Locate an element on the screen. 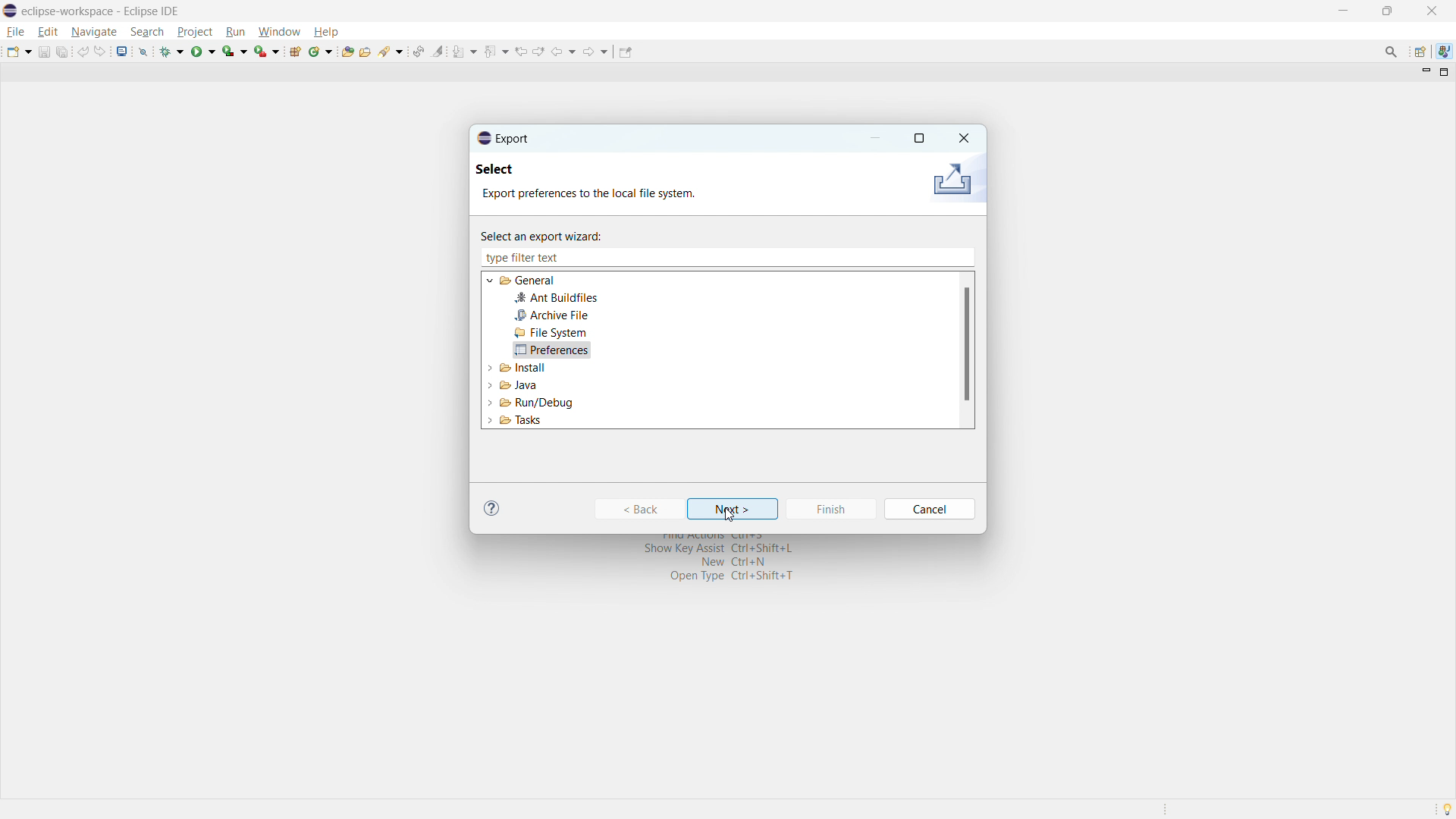  expand team is located at coordinates (490, 366).